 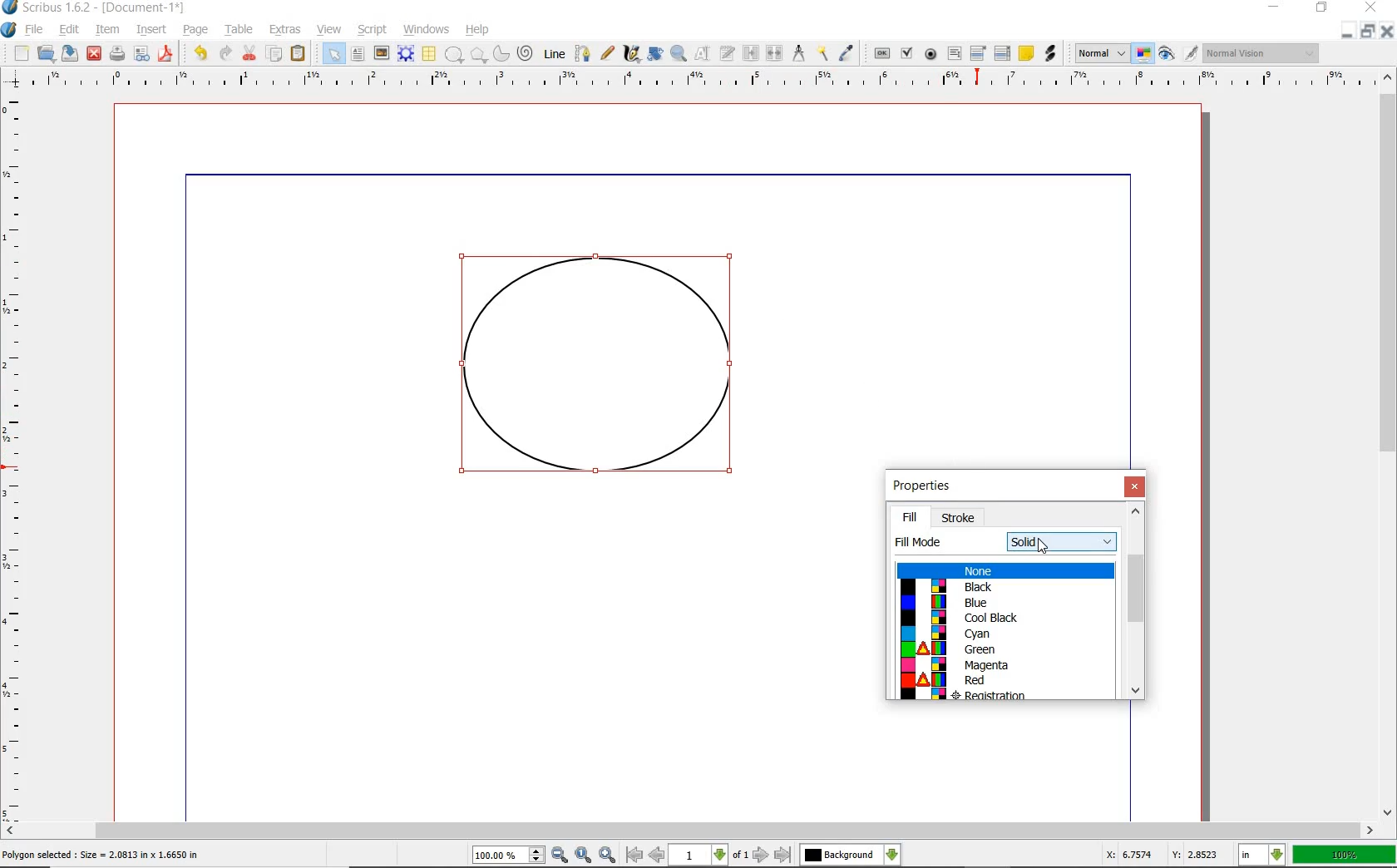 What do you see at coordinates (524, 54) in the screenshot?
I see `SPIRAL` at bounding box center [524, 54].